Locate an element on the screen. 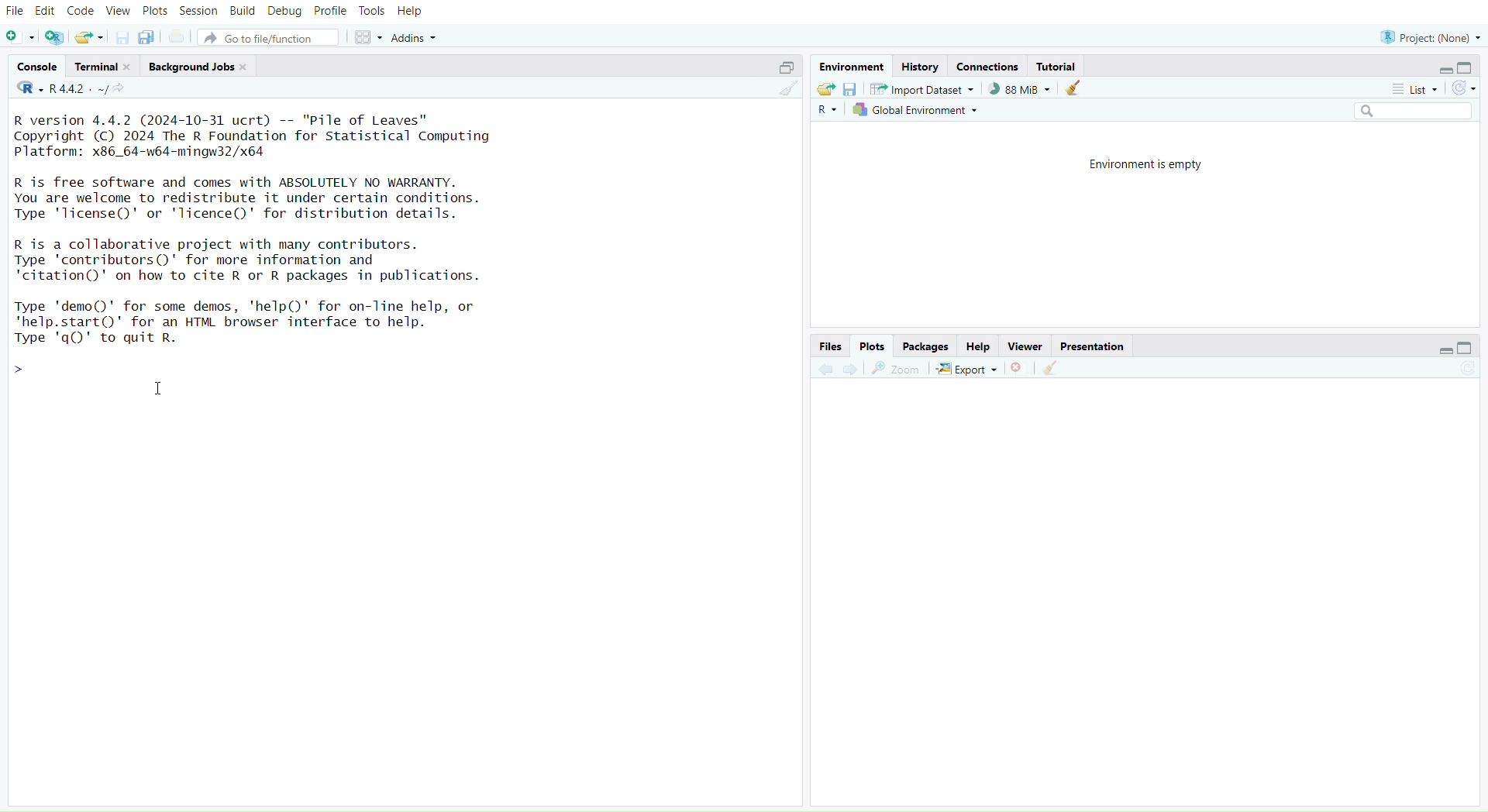  code is located at coordinates (81, 11).